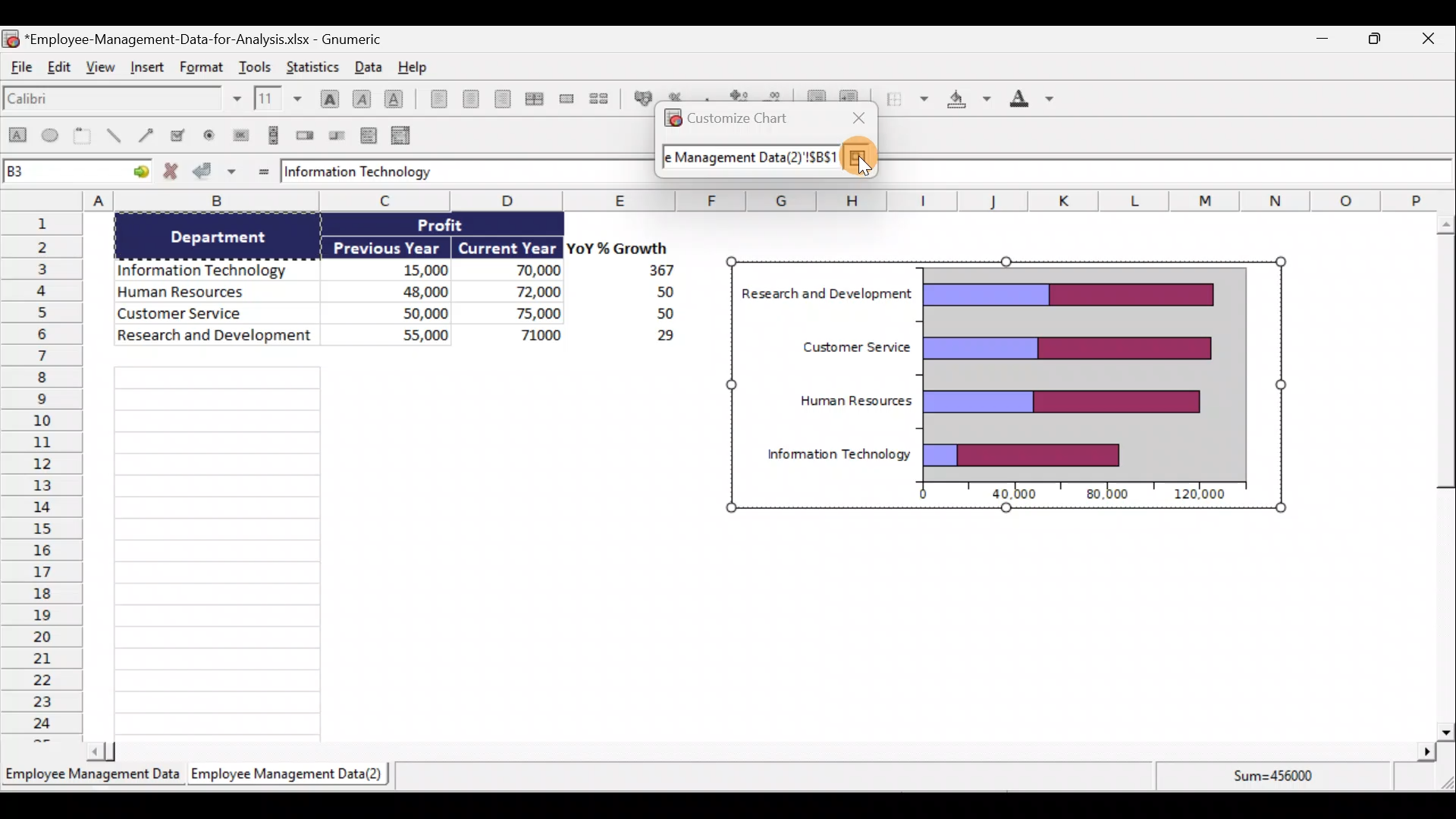  Describe the element at coordinates (640, 98) in the screenshot. I see `Format the selection as accounting` at that location.